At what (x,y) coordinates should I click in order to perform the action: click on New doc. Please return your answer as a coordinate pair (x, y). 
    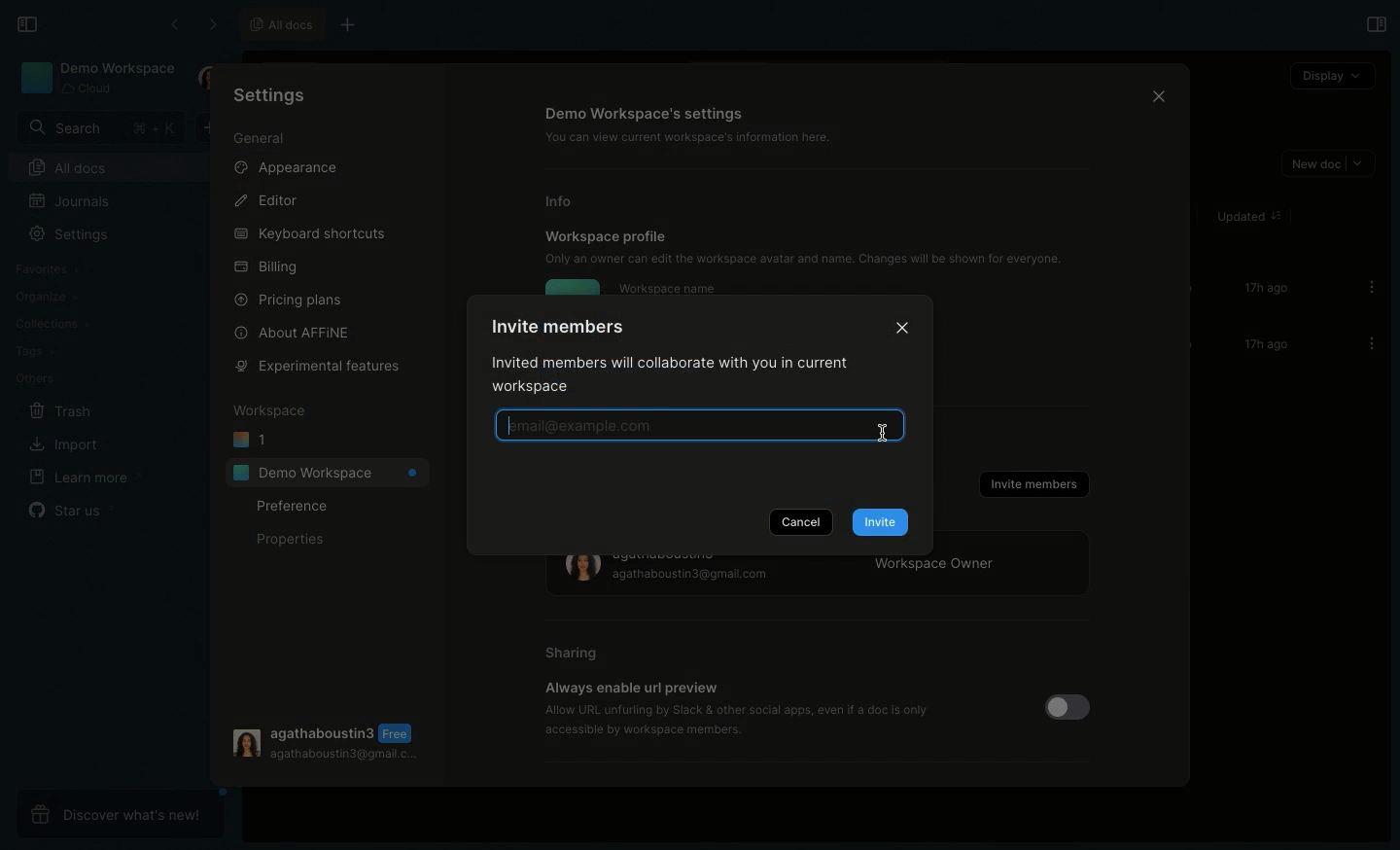
    Looking at the image, I should click on (1326, 164).